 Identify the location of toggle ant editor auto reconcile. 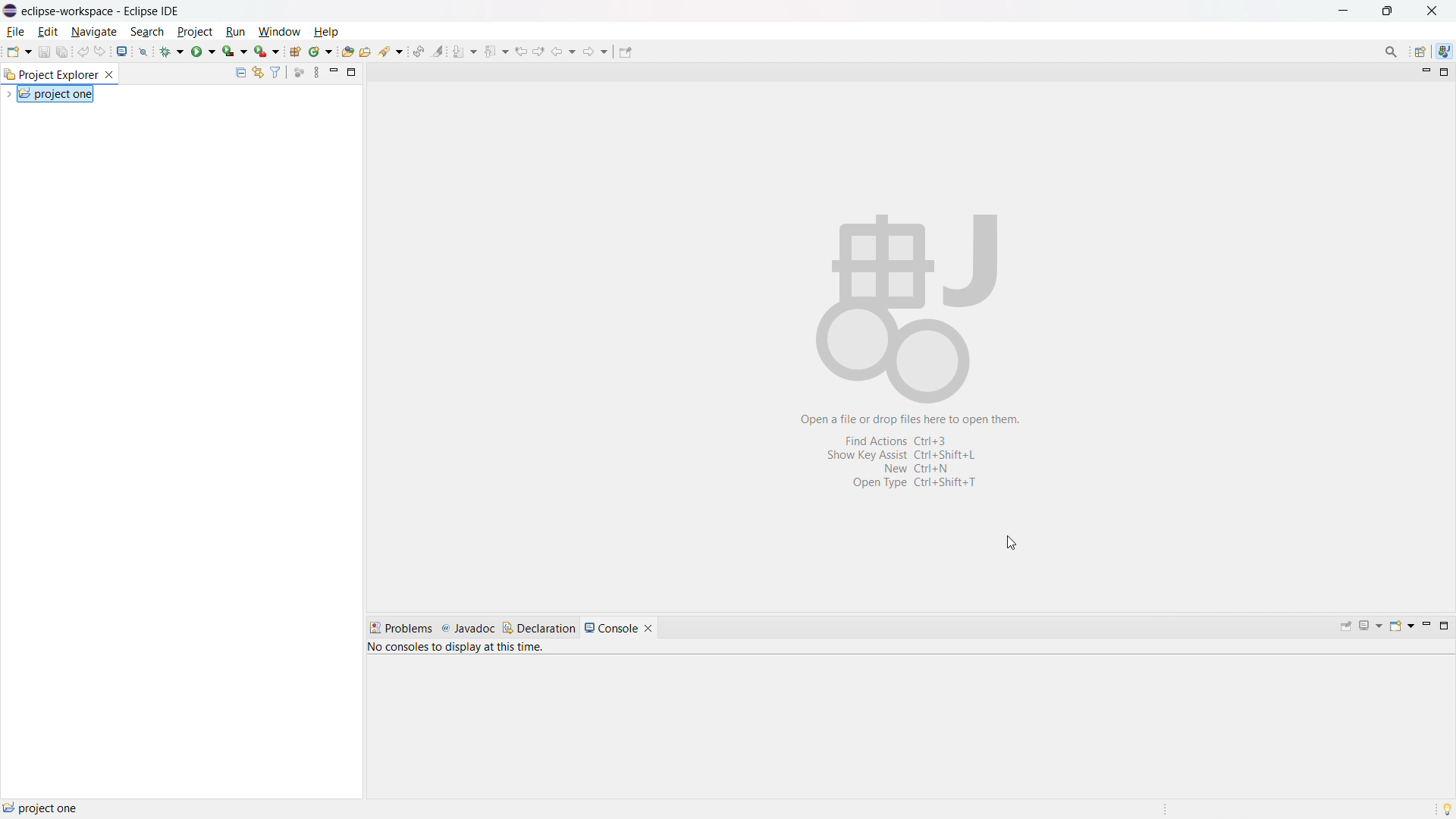
(418, 51).